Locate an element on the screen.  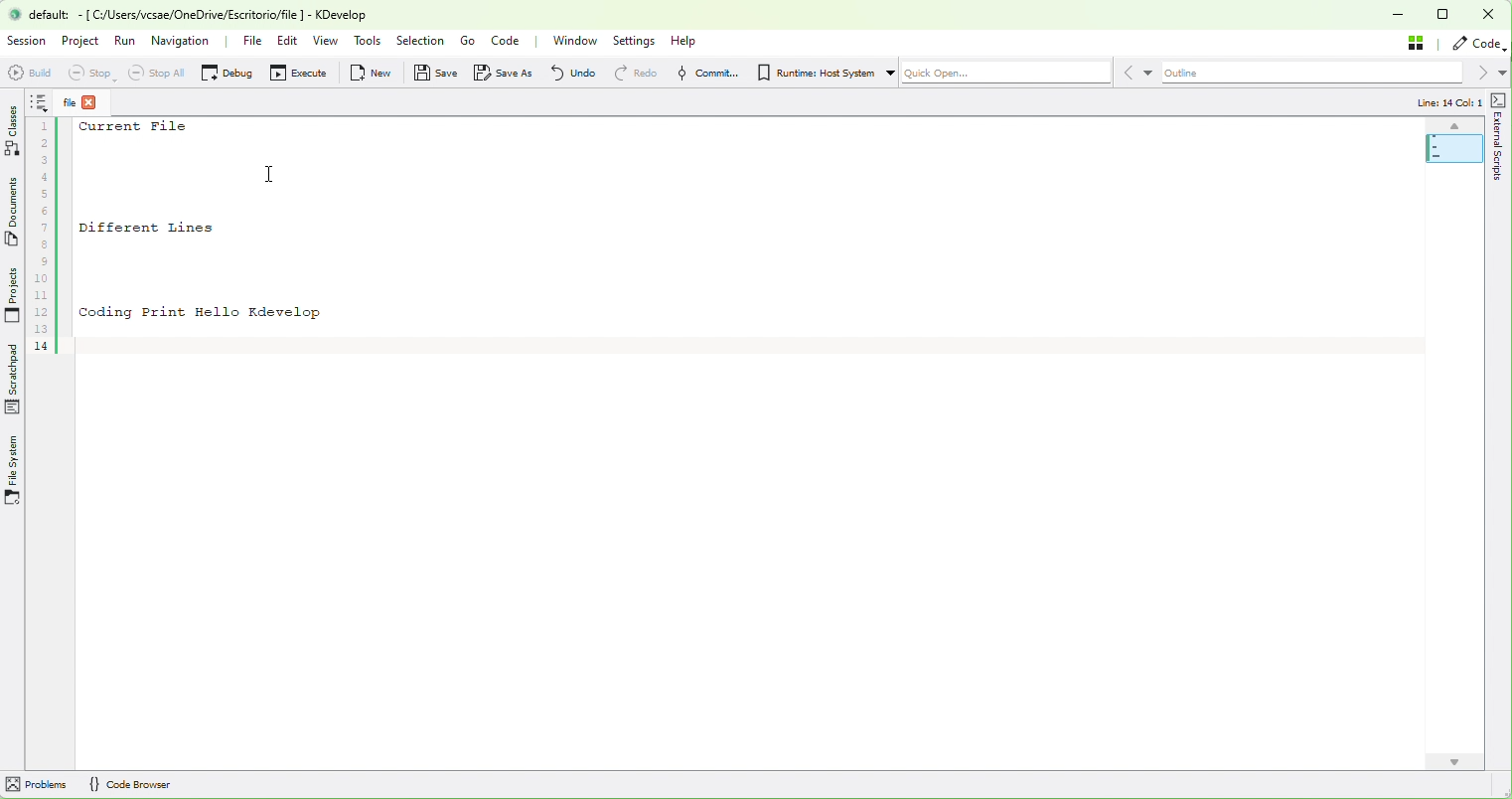
Current File is located at coordinates (131, 126).